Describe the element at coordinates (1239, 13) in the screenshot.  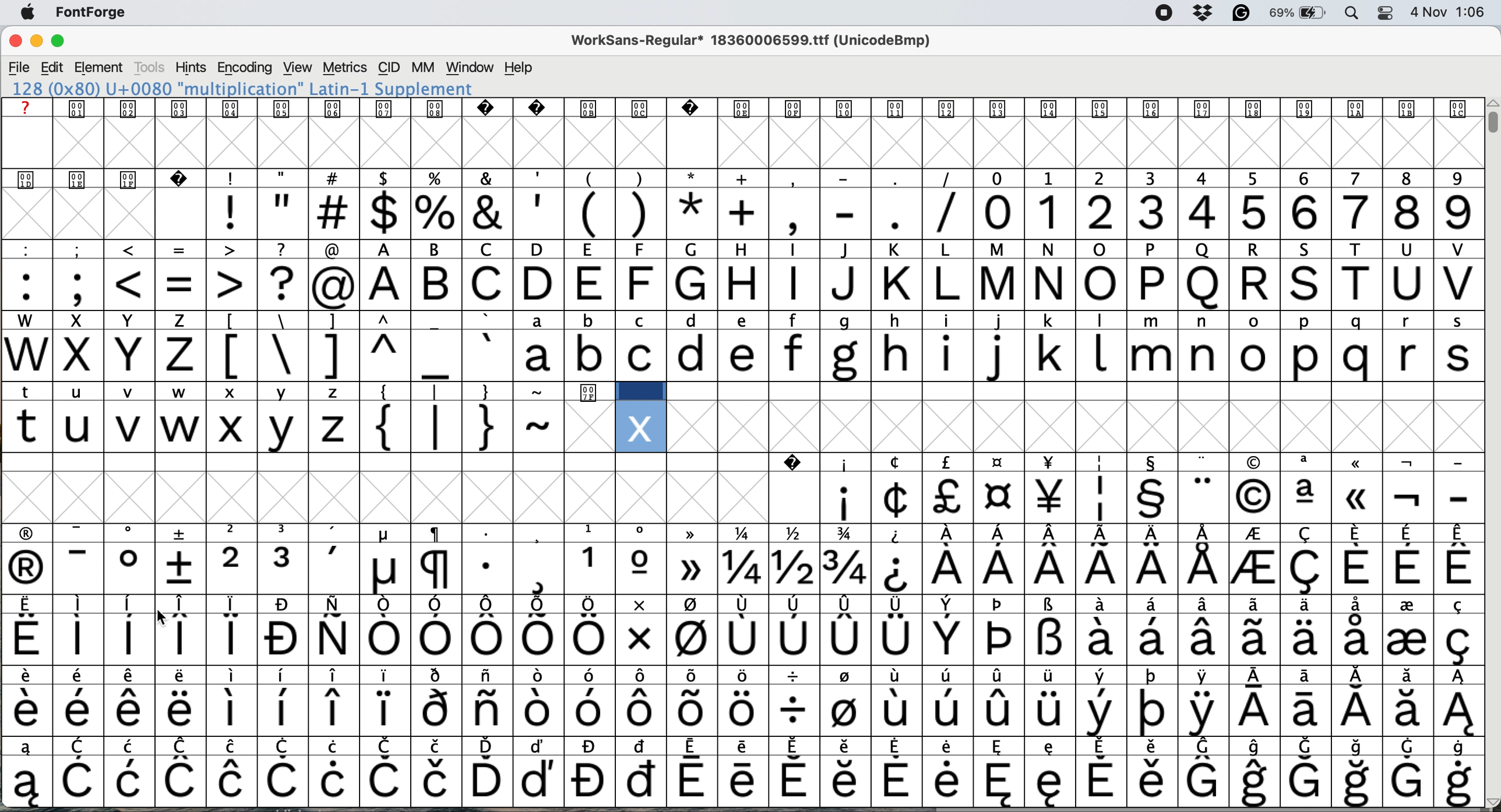
I see `grammarly` at that location.